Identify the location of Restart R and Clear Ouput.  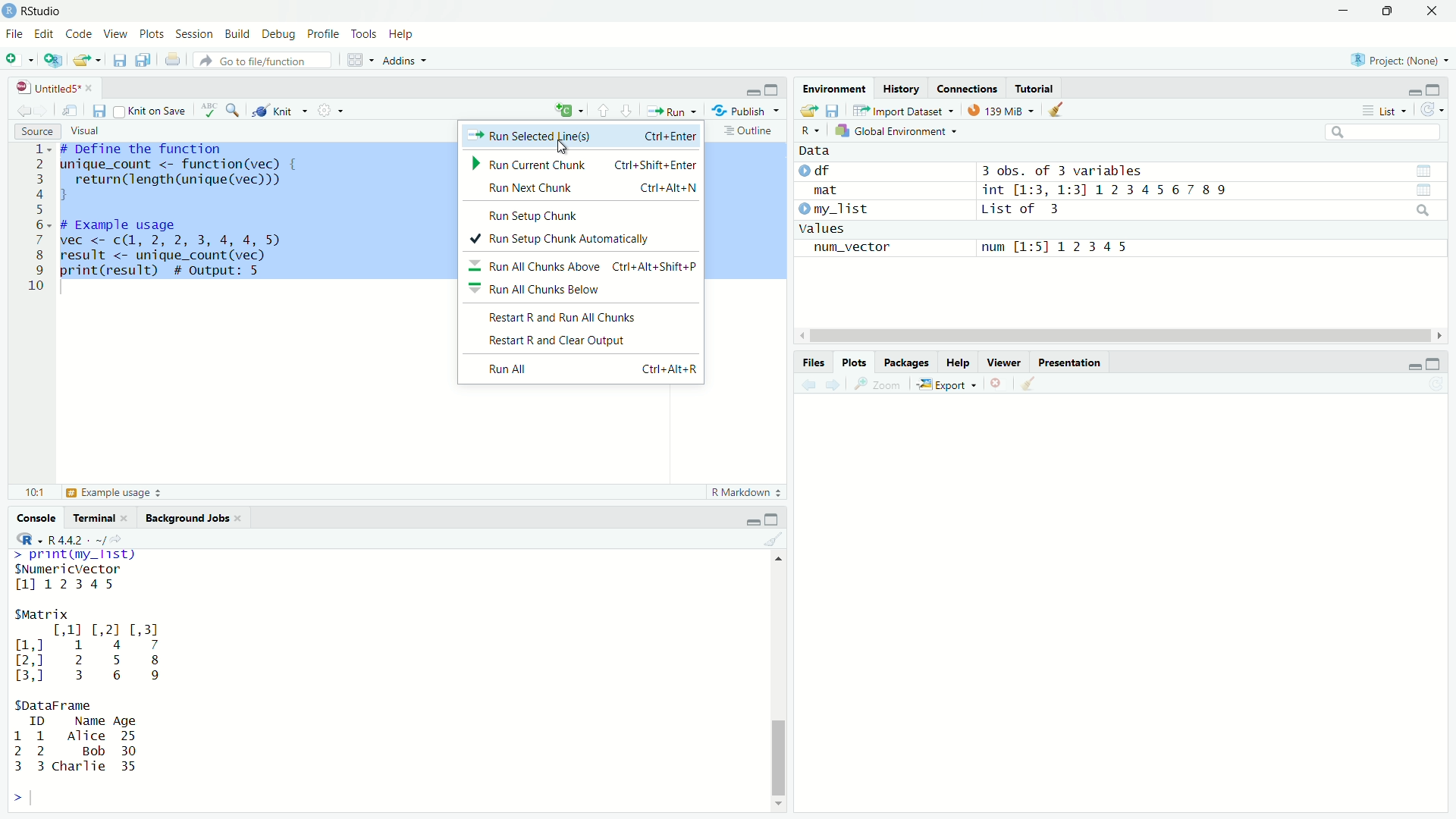
(557, 340).